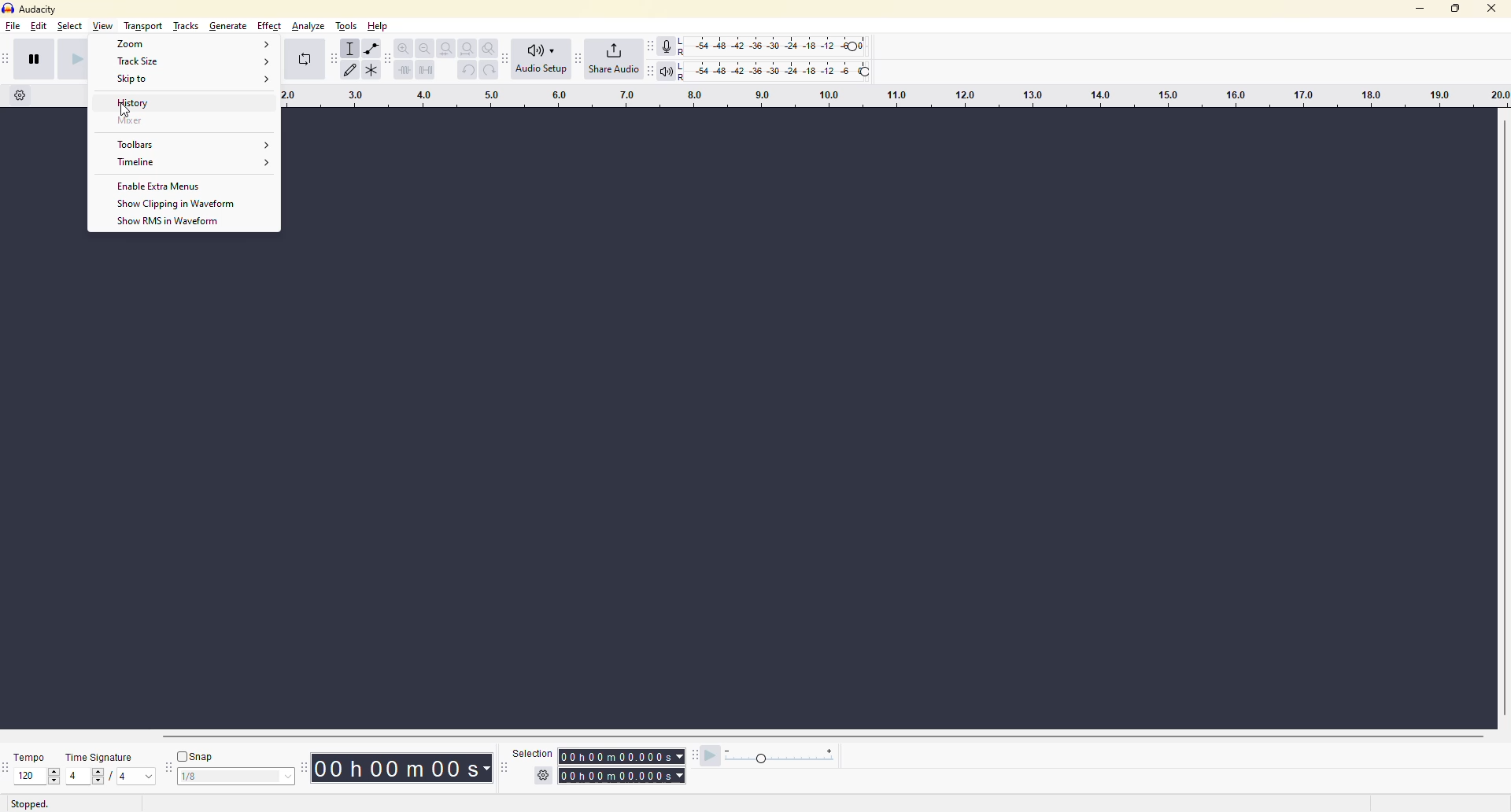 The width and height of the screenshot is (1511, 812). What do you see at coordinates (179, 223) in the screenshot?
I see `show rms in waveform` at bounding box center [179, 223].